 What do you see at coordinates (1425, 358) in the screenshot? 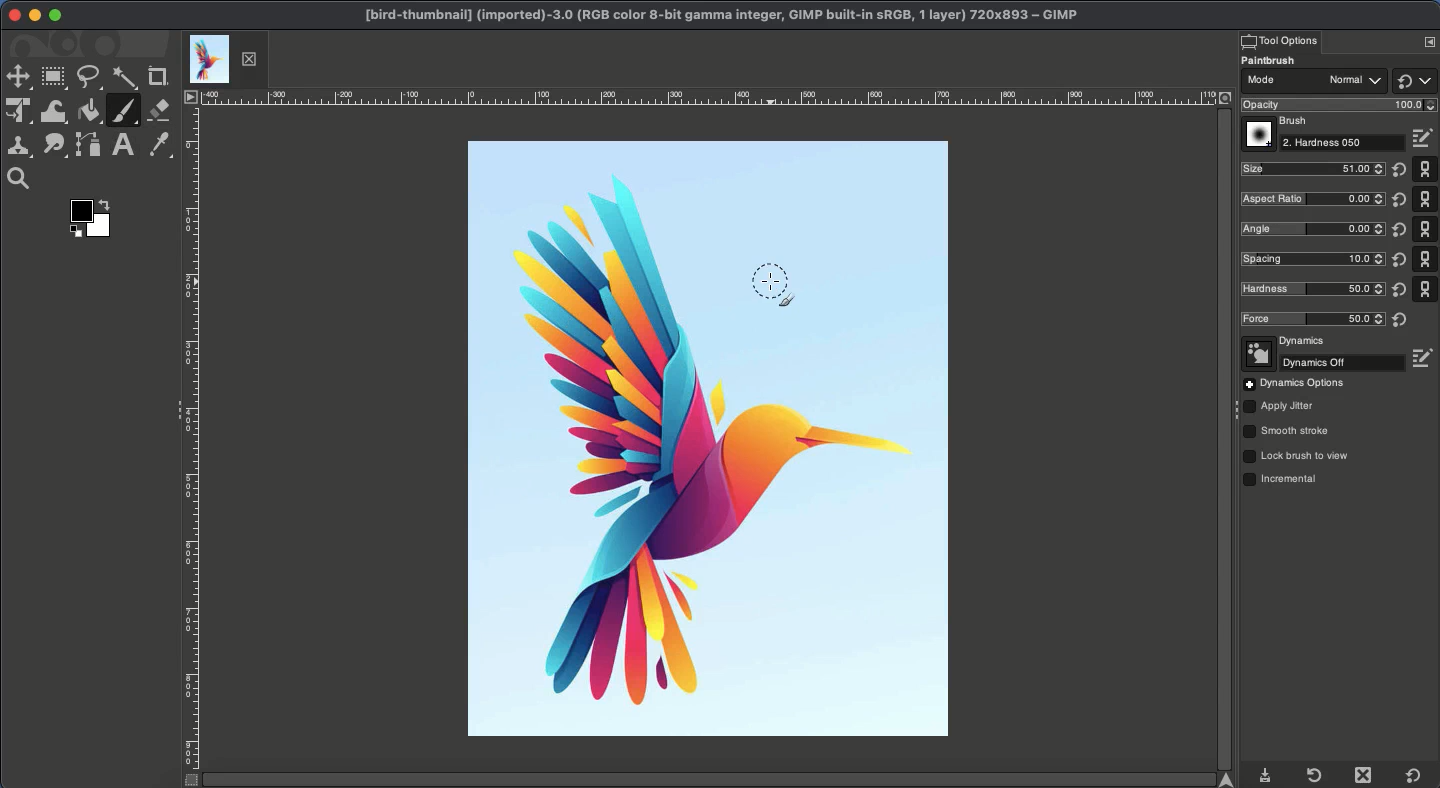
I see `Edit` at bounding box center [1425, 358].